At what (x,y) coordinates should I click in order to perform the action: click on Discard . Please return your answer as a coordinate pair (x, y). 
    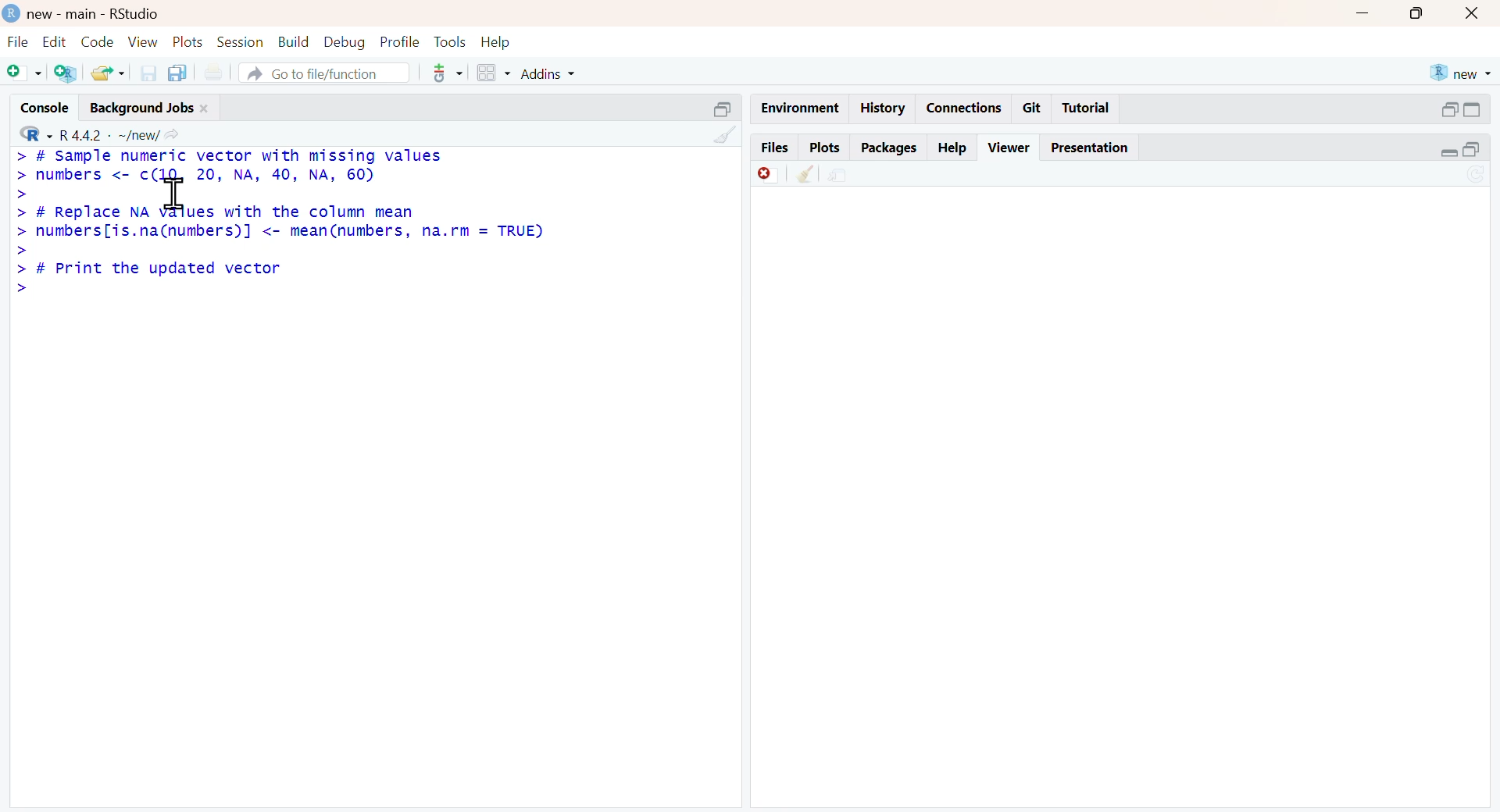
    Looking at the image, I should click on (768, 175).